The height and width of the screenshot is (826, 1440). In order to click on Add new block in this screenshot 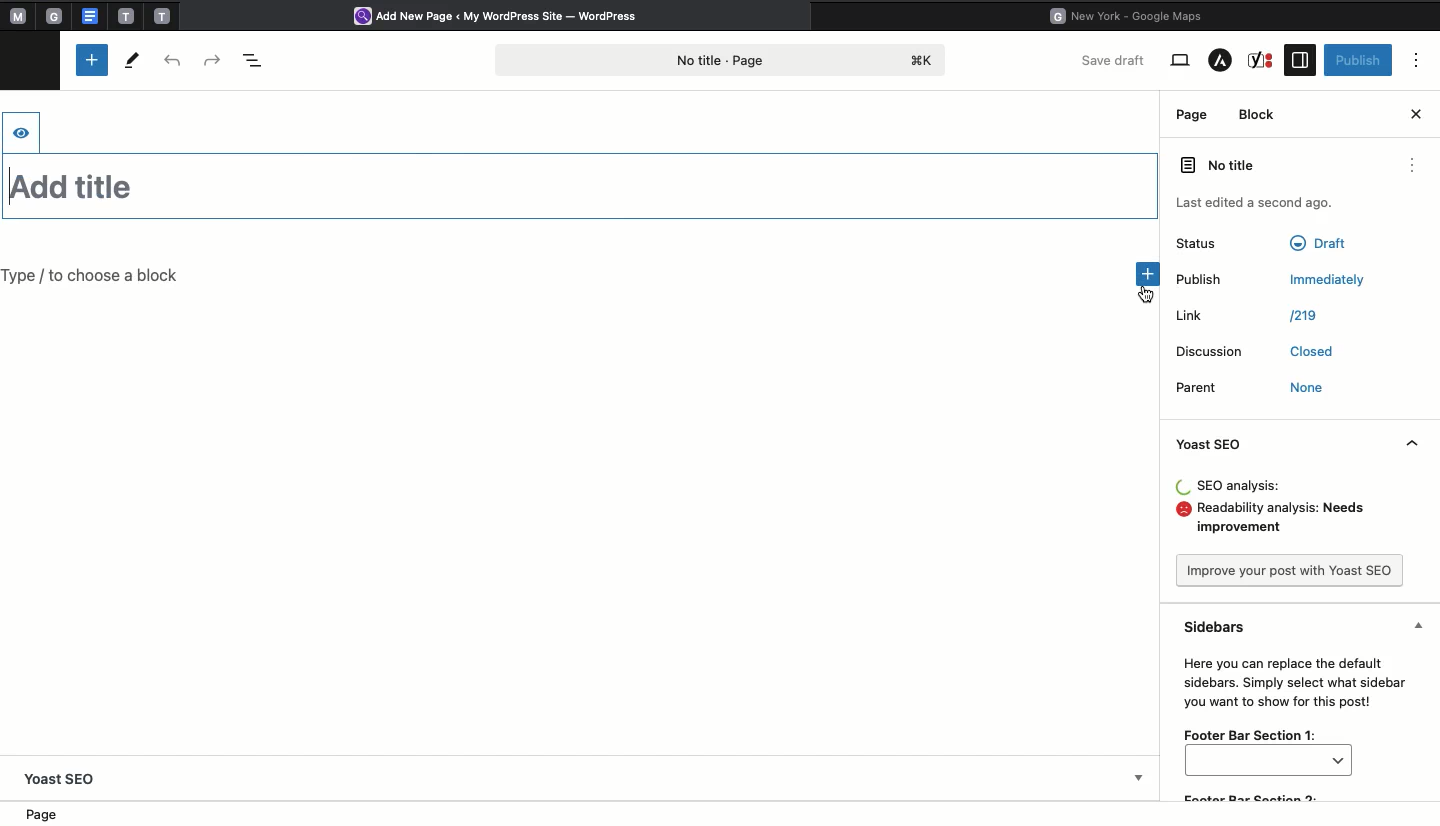, I will do `click(1142, 272)`.